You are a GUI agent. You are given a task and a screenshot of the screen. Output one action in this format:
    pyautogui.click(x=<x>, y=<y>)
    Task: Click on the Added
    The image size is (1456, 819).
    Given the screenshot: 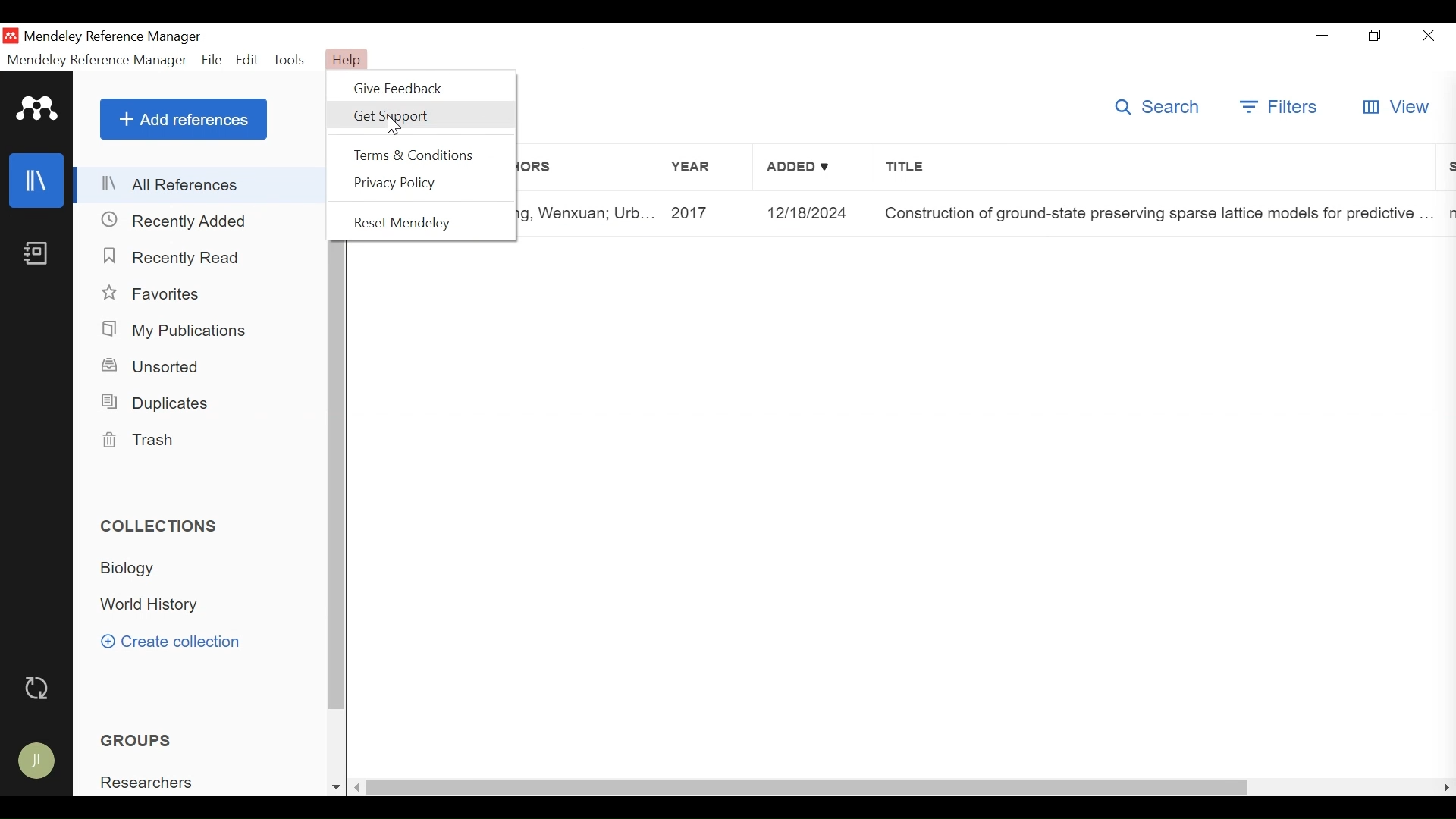 What is the action you would take?
    pyautogui.click(x=815, y=214)
    